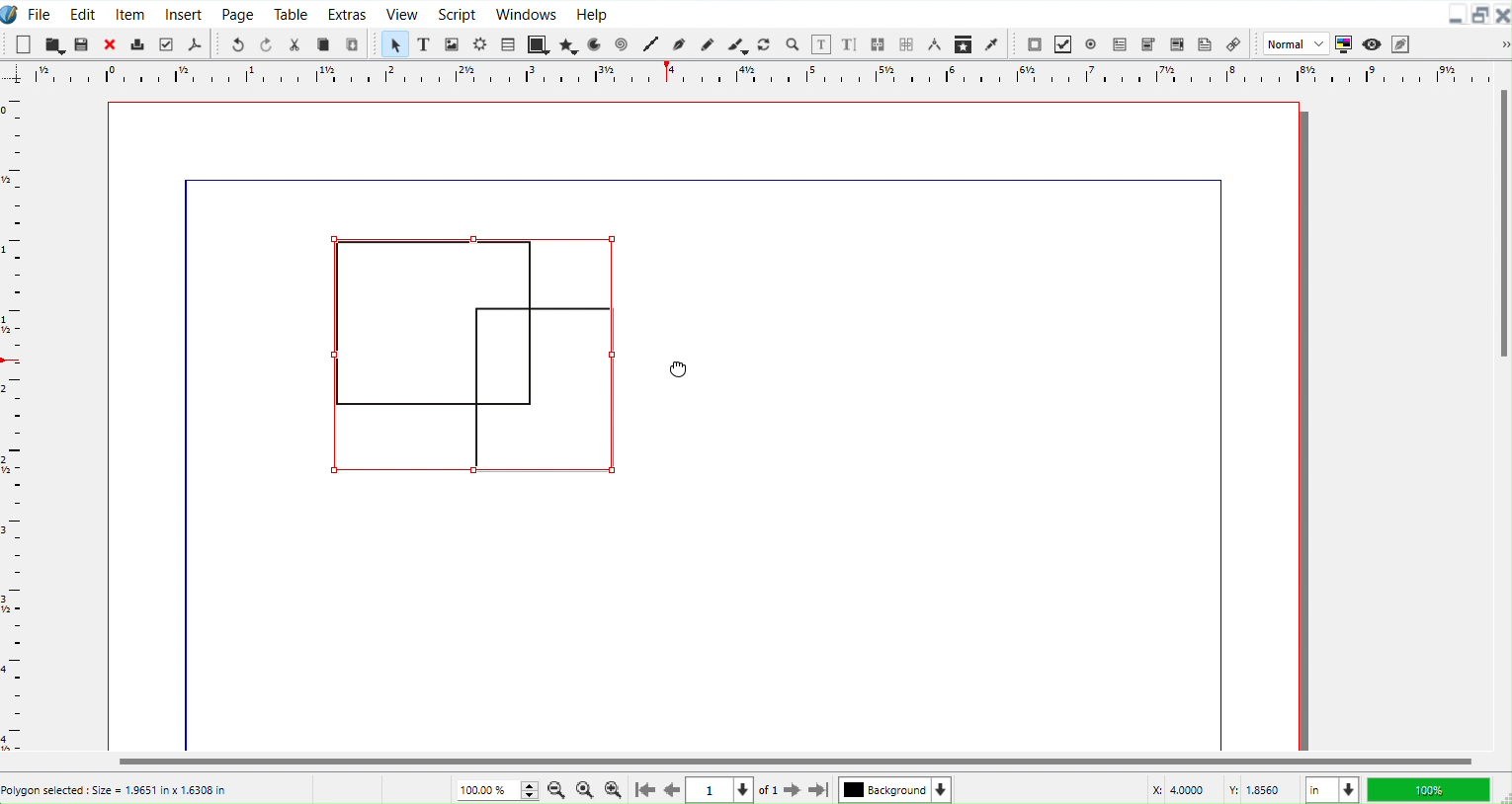 The image size is (1512, 804). What do you see at coordinates (623, 43) in the screenshot?
I see `Spiral` at bounding box center [623, 43].